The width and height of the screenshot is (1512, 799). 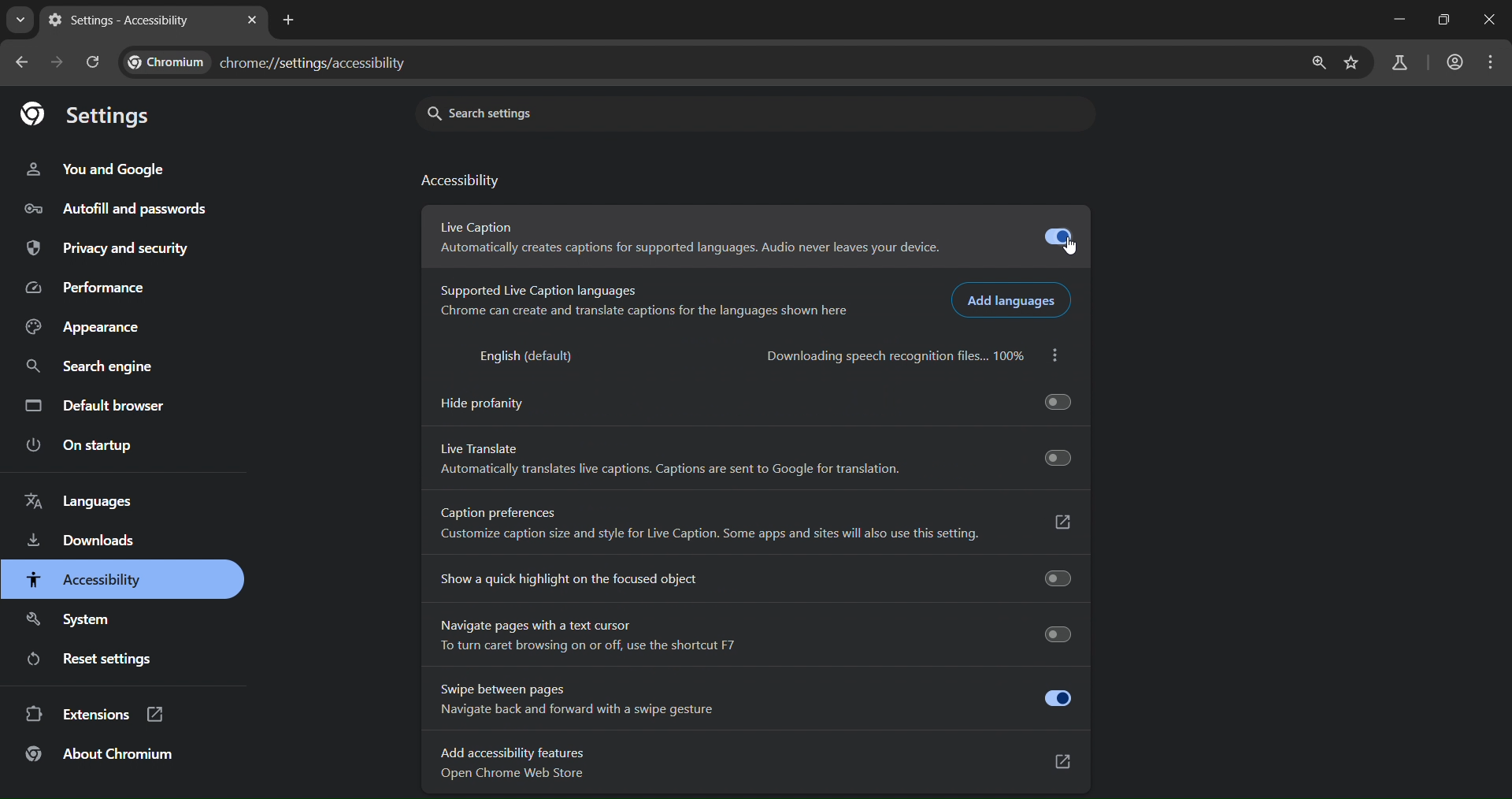 I want to click on search engine, so click(x=96, y=367).